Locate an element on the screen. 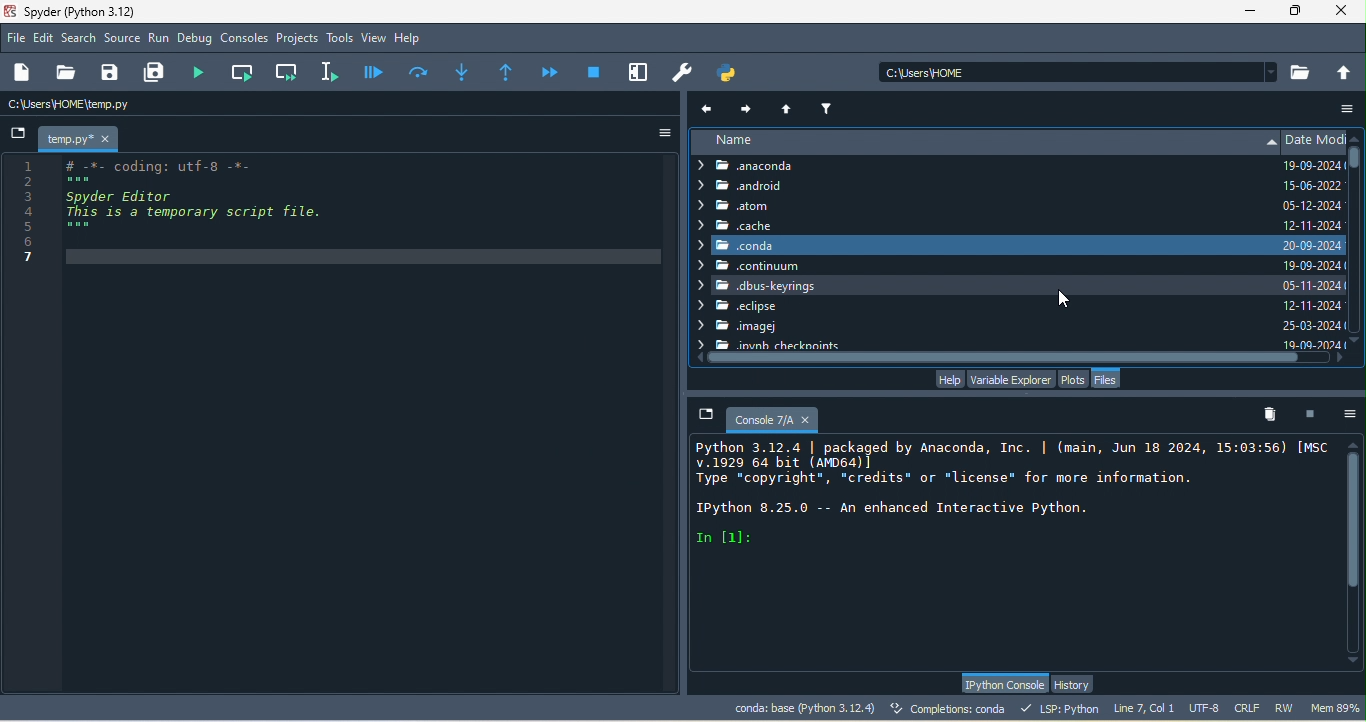  scroll down is located at coordinates (1353, 663).